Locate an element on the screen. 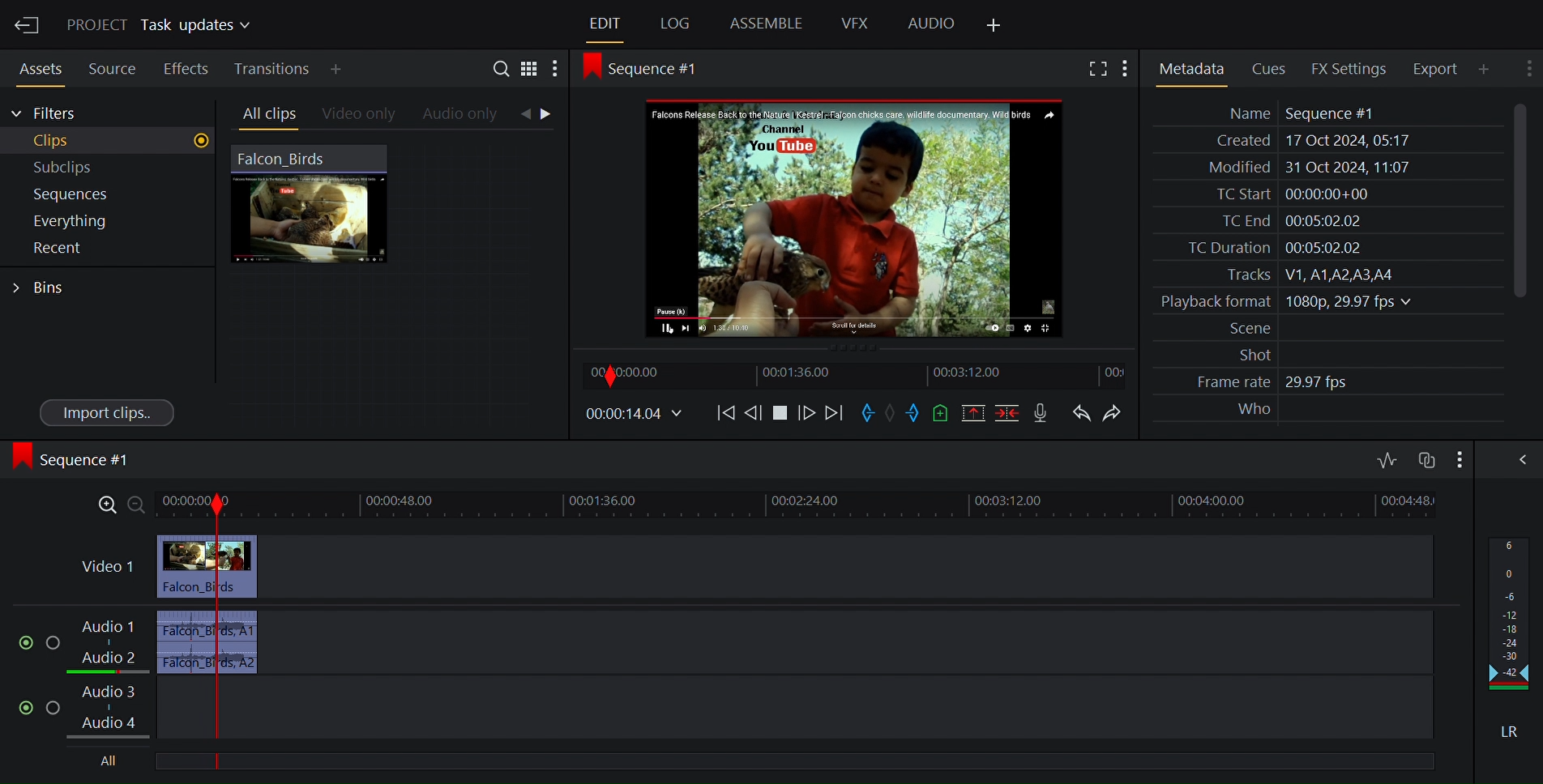 This screenshot has height=784, width=1543. Move backwards is located at coordinates (724, 415).